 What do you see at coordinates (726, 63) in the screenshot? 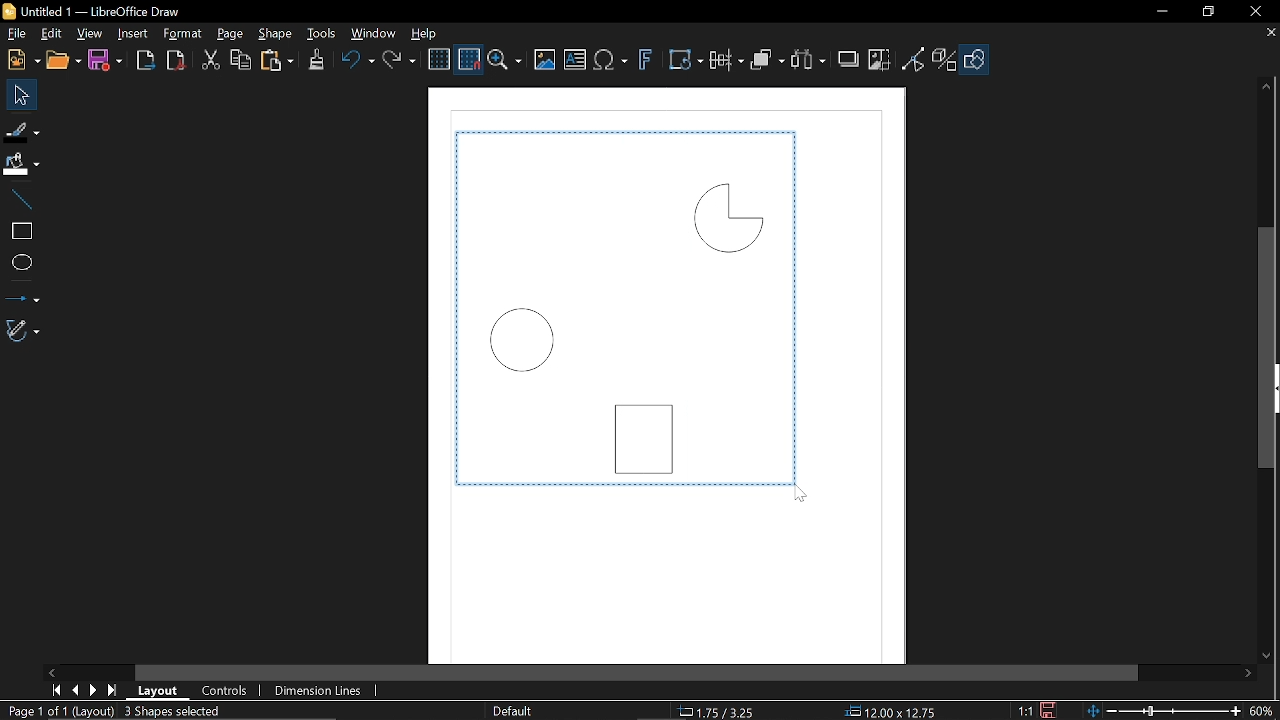
I see `Align` at bounding box center [726, 63].